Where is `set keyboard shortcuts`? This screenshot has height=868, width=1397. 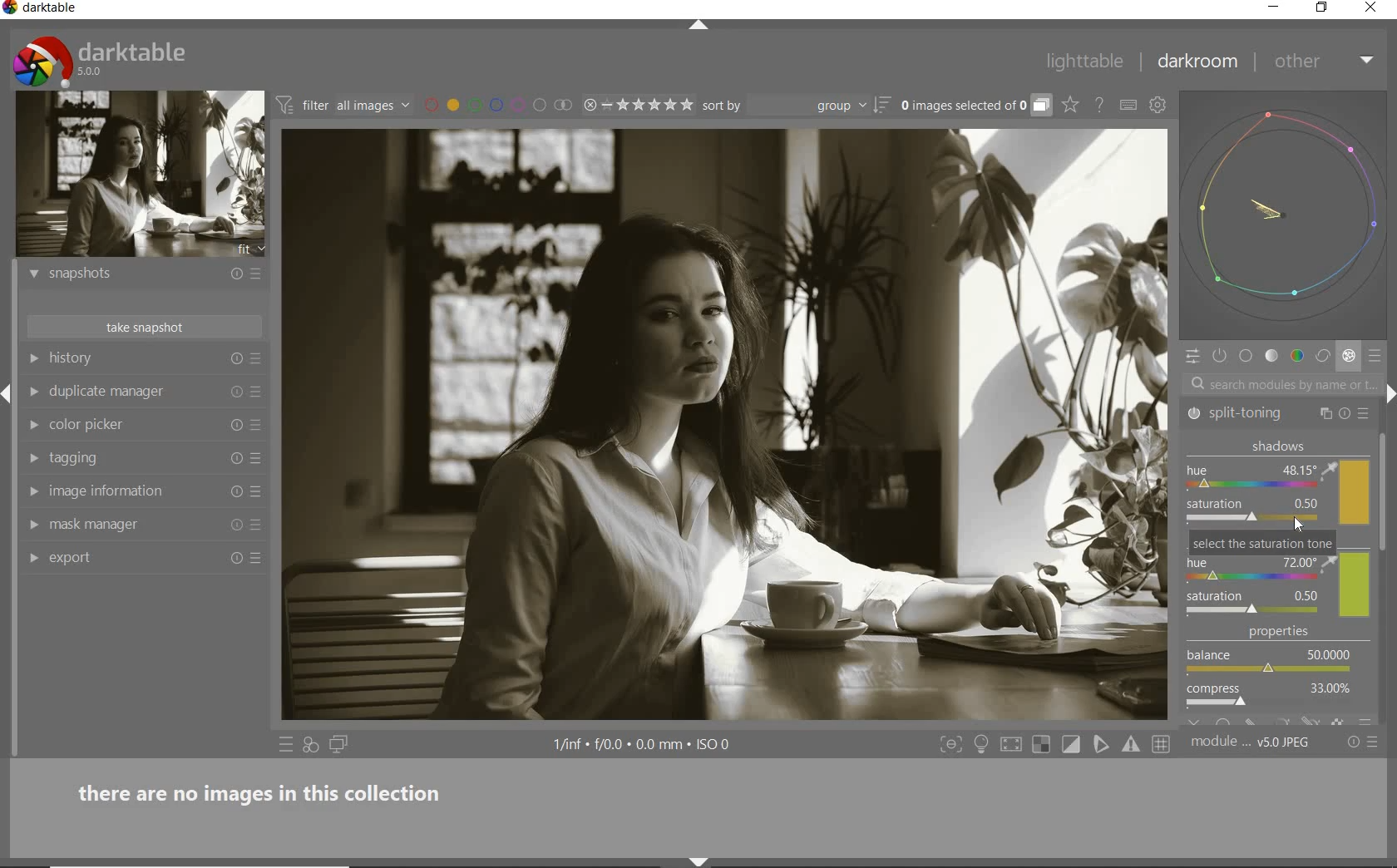
set keyboard shortcuts is located at coordinates (1128, 105).